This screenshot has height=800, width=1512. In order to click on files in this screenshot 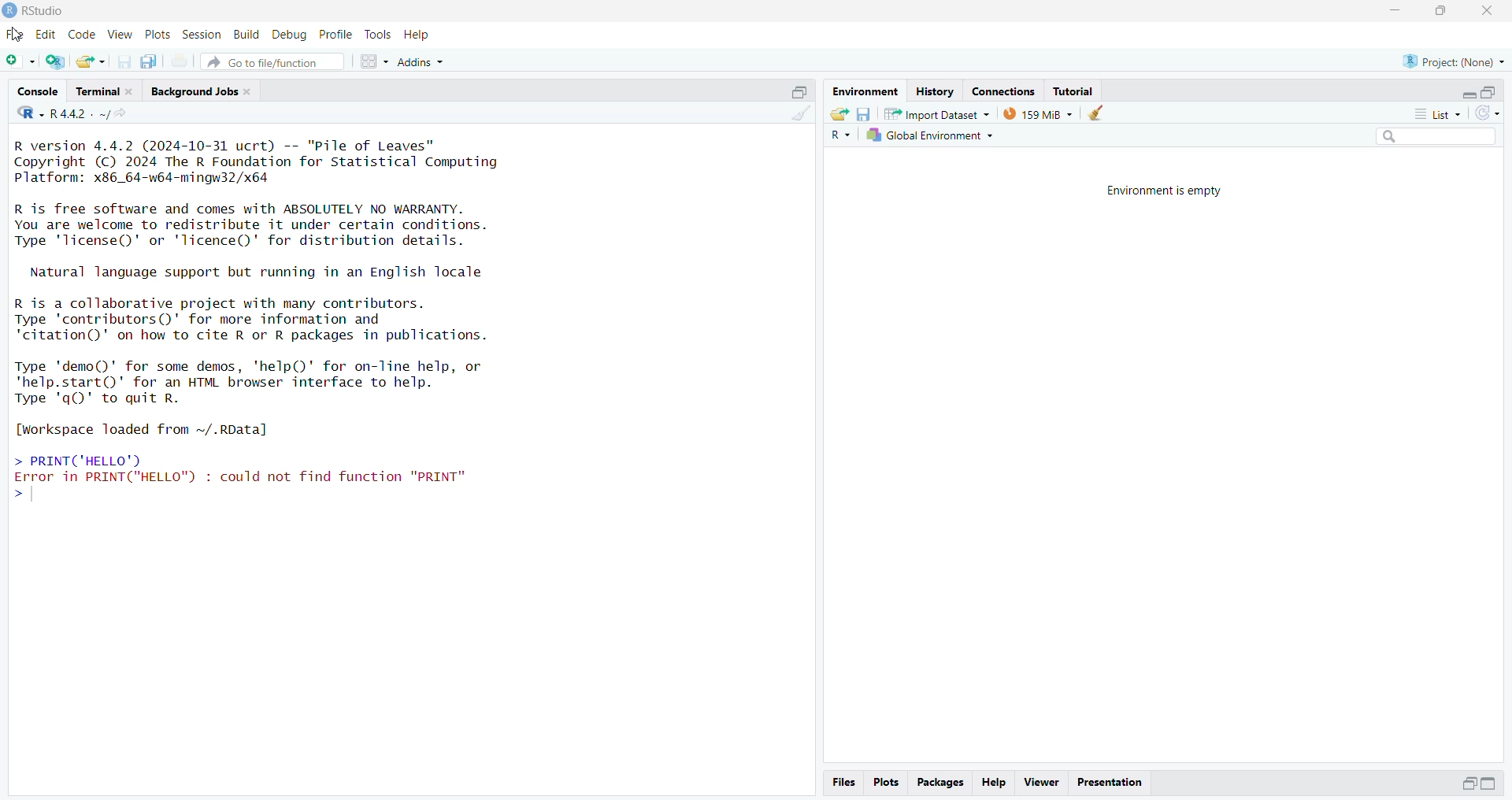, I will do `click(843, 783)`.